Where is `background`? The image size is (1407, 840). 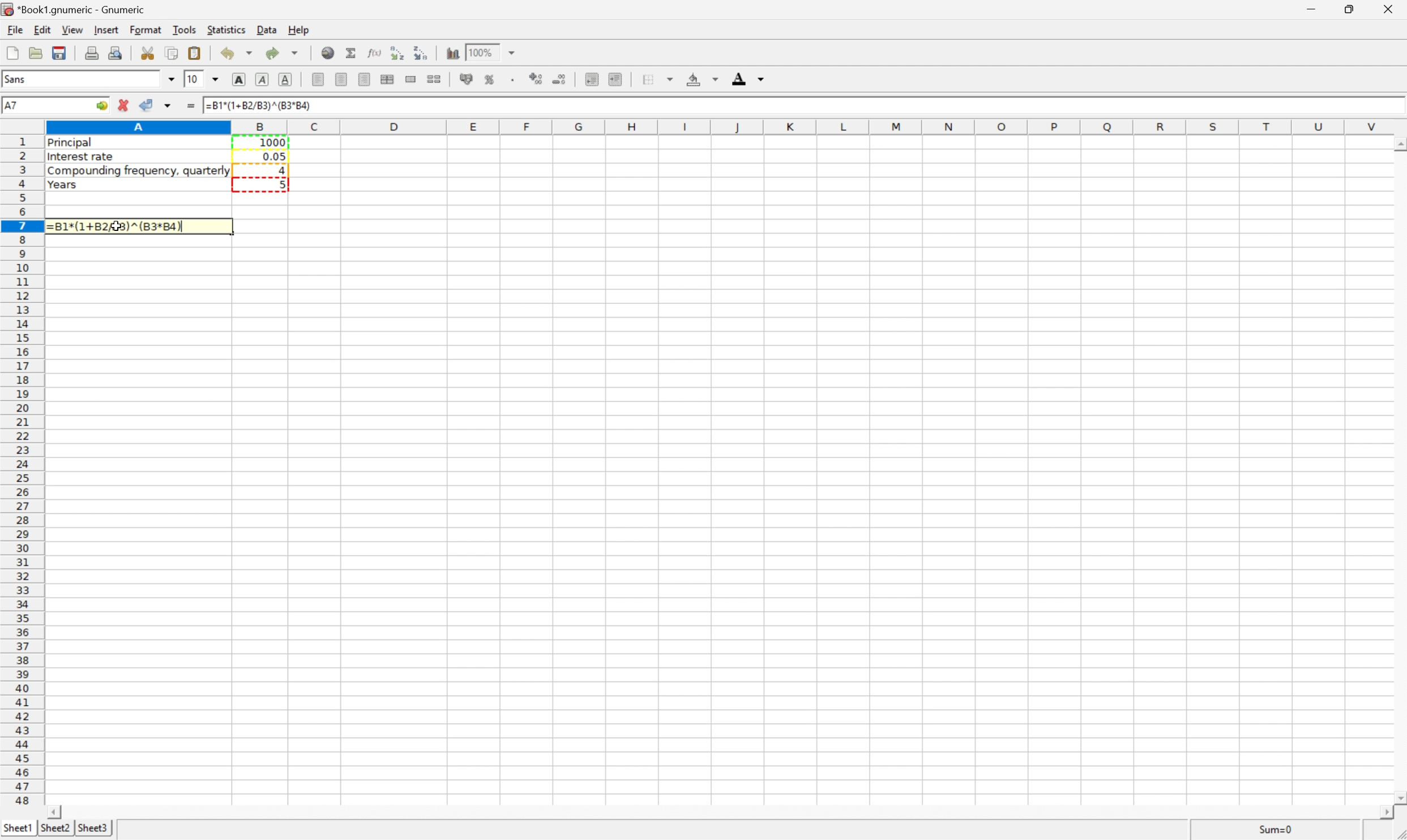 background is located at coordinates (703, 79).